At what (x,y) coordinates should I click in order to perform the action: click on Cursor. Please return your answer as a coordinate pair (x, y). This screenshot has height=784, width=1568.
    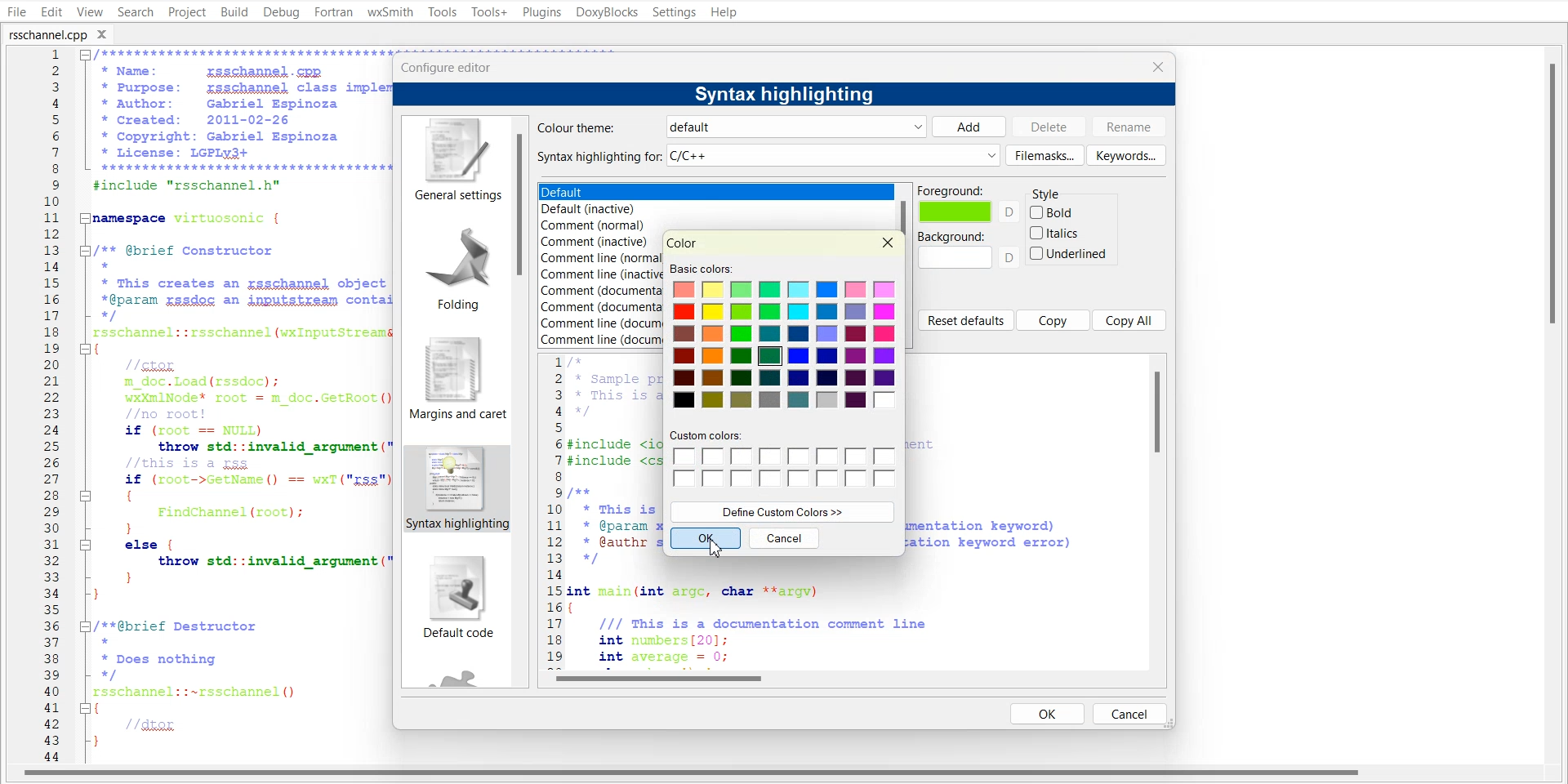
    Looking at the image, I should click on (719, 547).